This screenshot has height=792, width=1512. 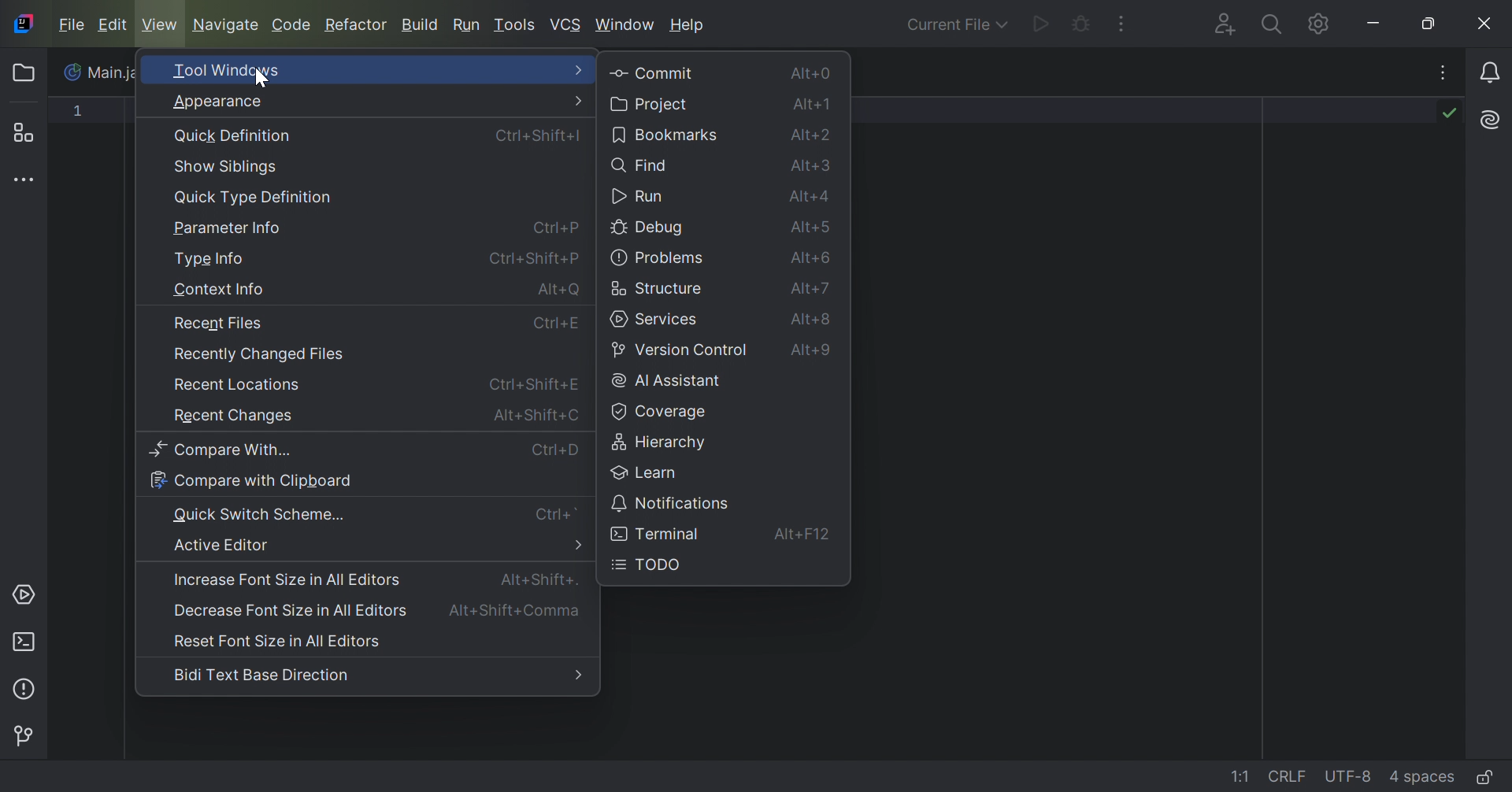 I want to click on Coverage, so click(x=657, y=412).